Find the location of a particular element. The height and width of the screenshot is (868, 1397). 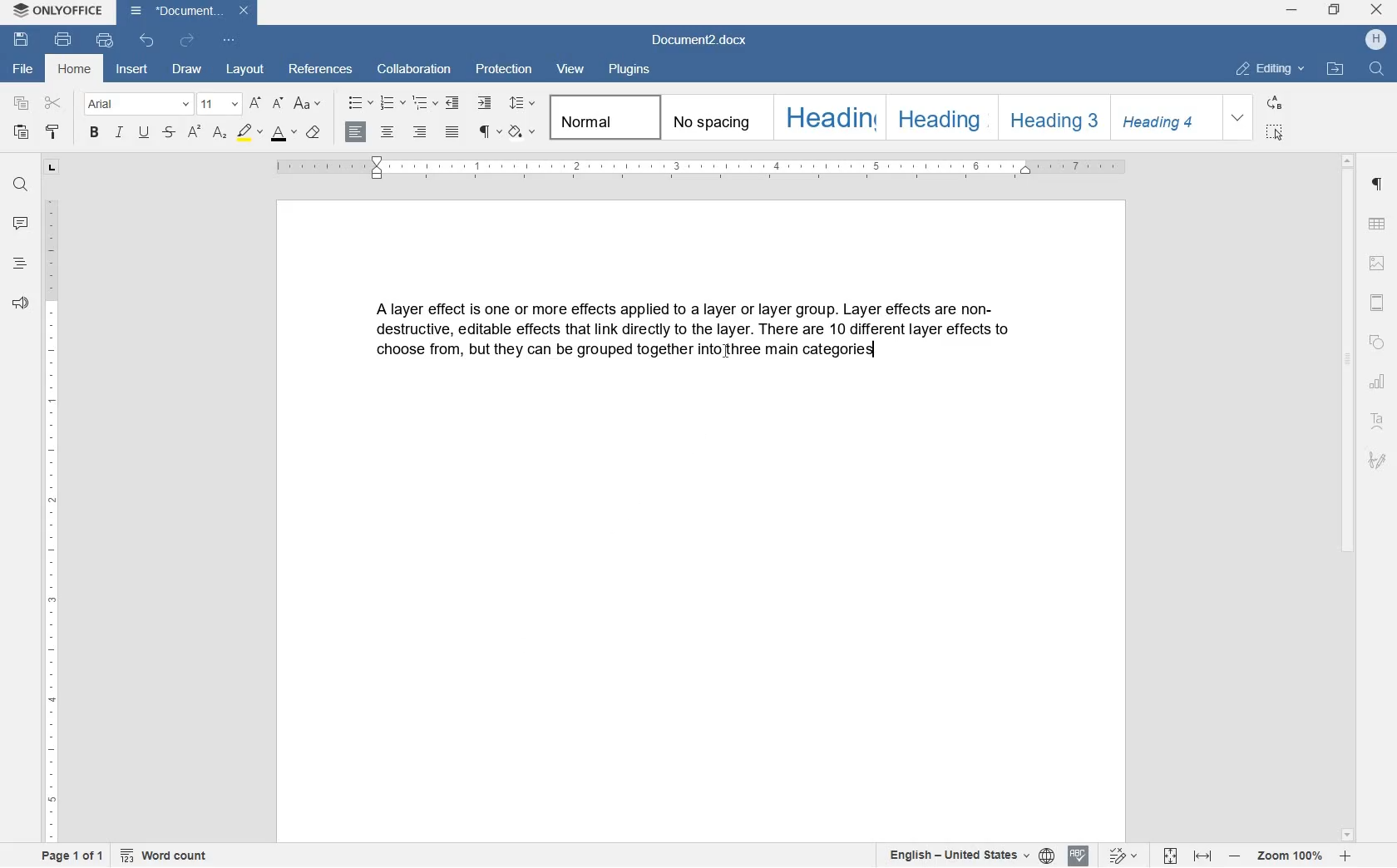

layout is located at coordinates (248, 71).